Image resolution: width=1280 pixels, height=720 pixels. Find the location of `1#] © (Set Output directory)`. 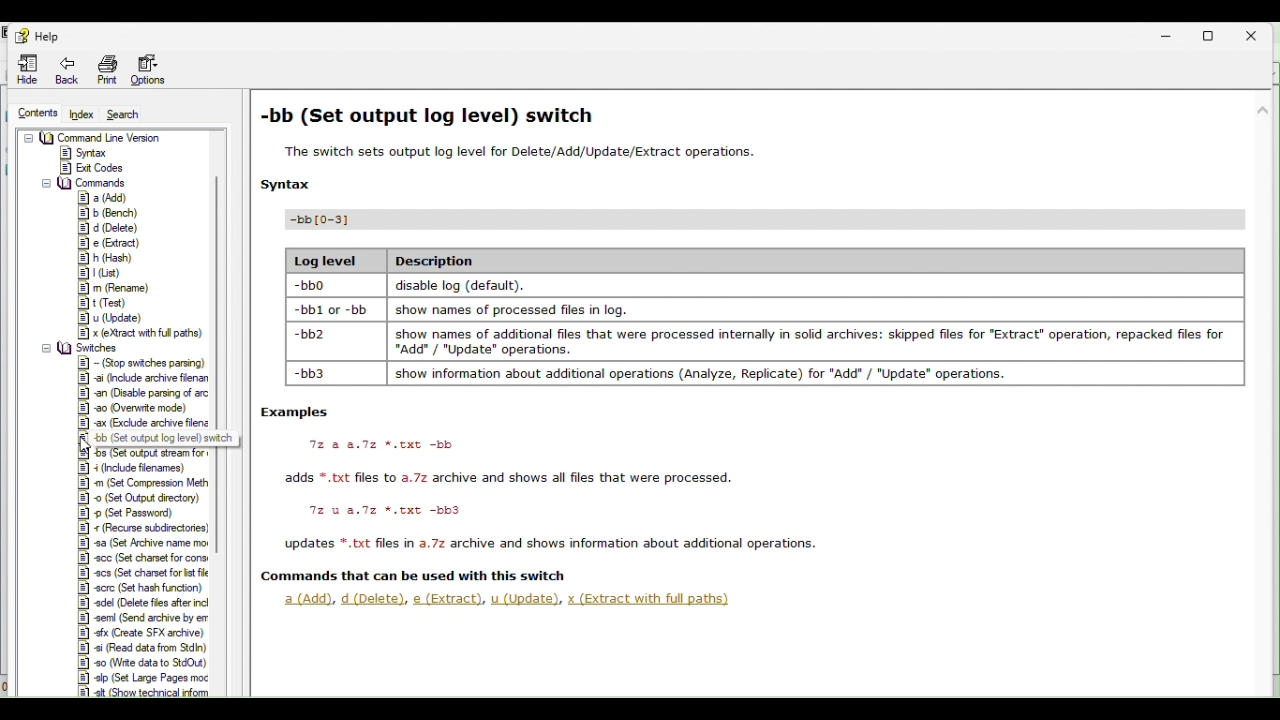

1#] © (Set Output directory) is located at coordinates (143, 497).